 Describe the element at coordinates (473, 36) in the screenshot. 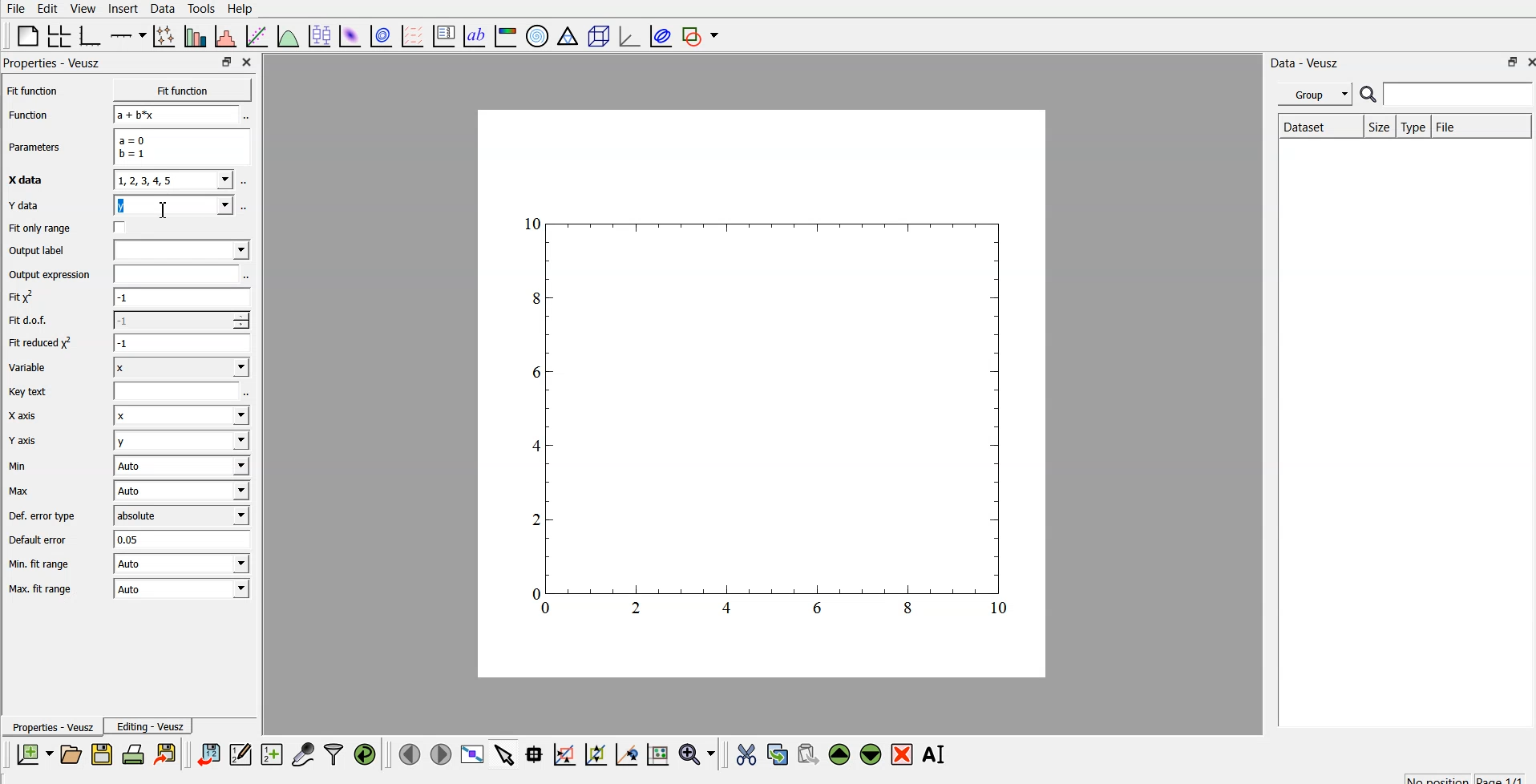

I see `text label` at that location.